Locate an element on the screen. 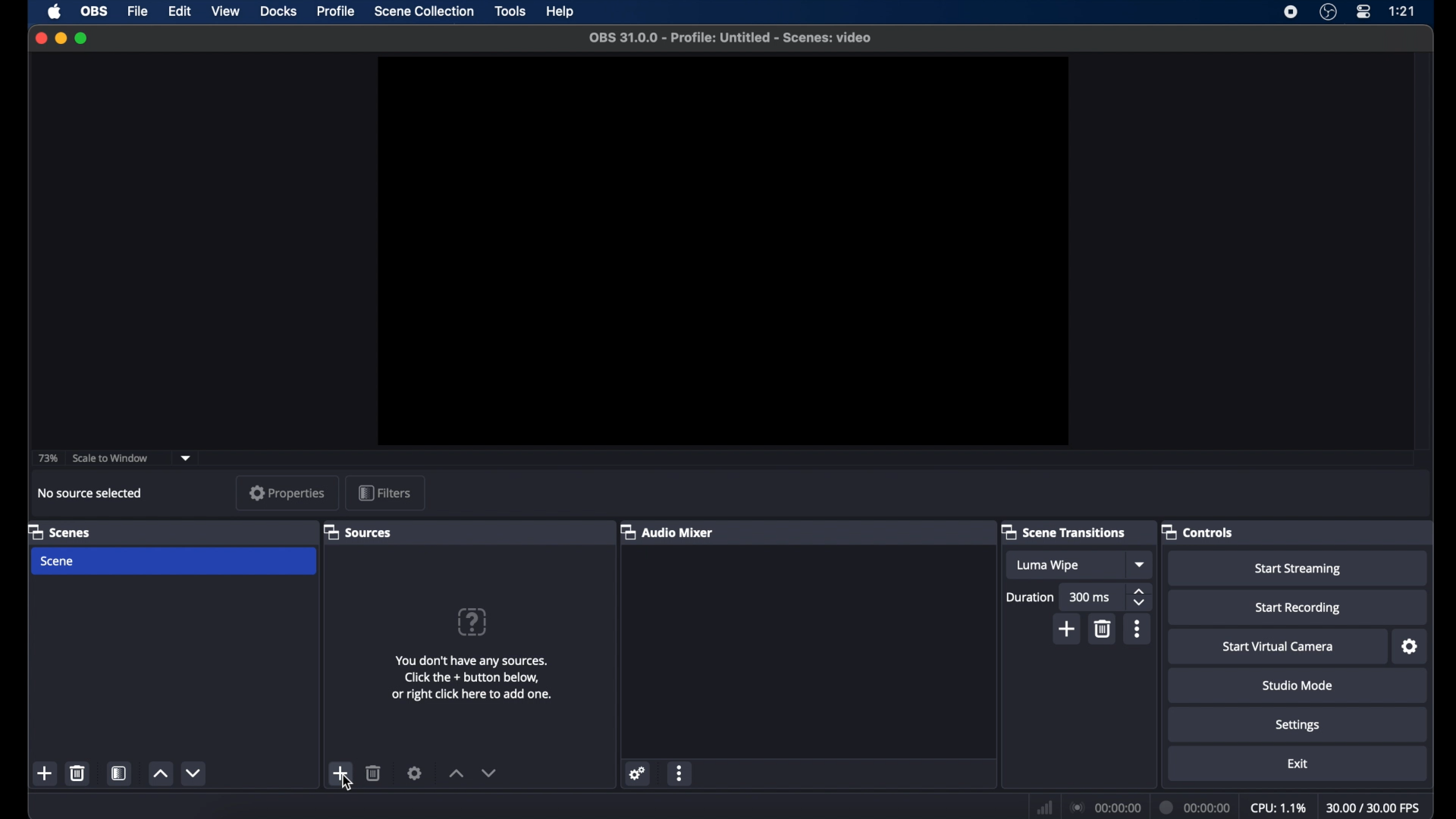  apple icon is located at coordinates (54, 11).